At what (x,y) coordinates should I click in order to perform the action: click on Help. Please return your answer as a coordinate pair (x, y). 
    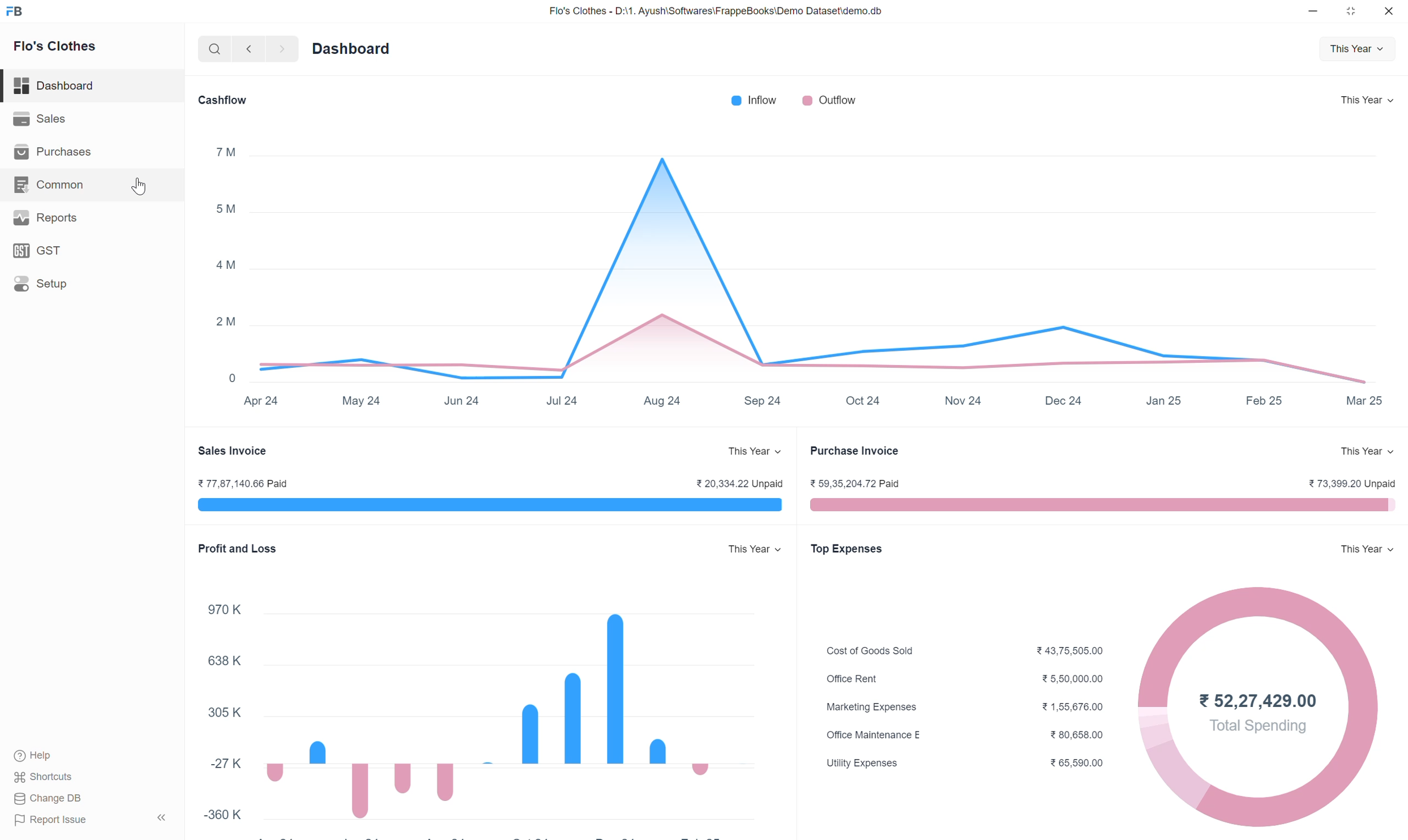
    Looking at the image, I should click on (39, 756).